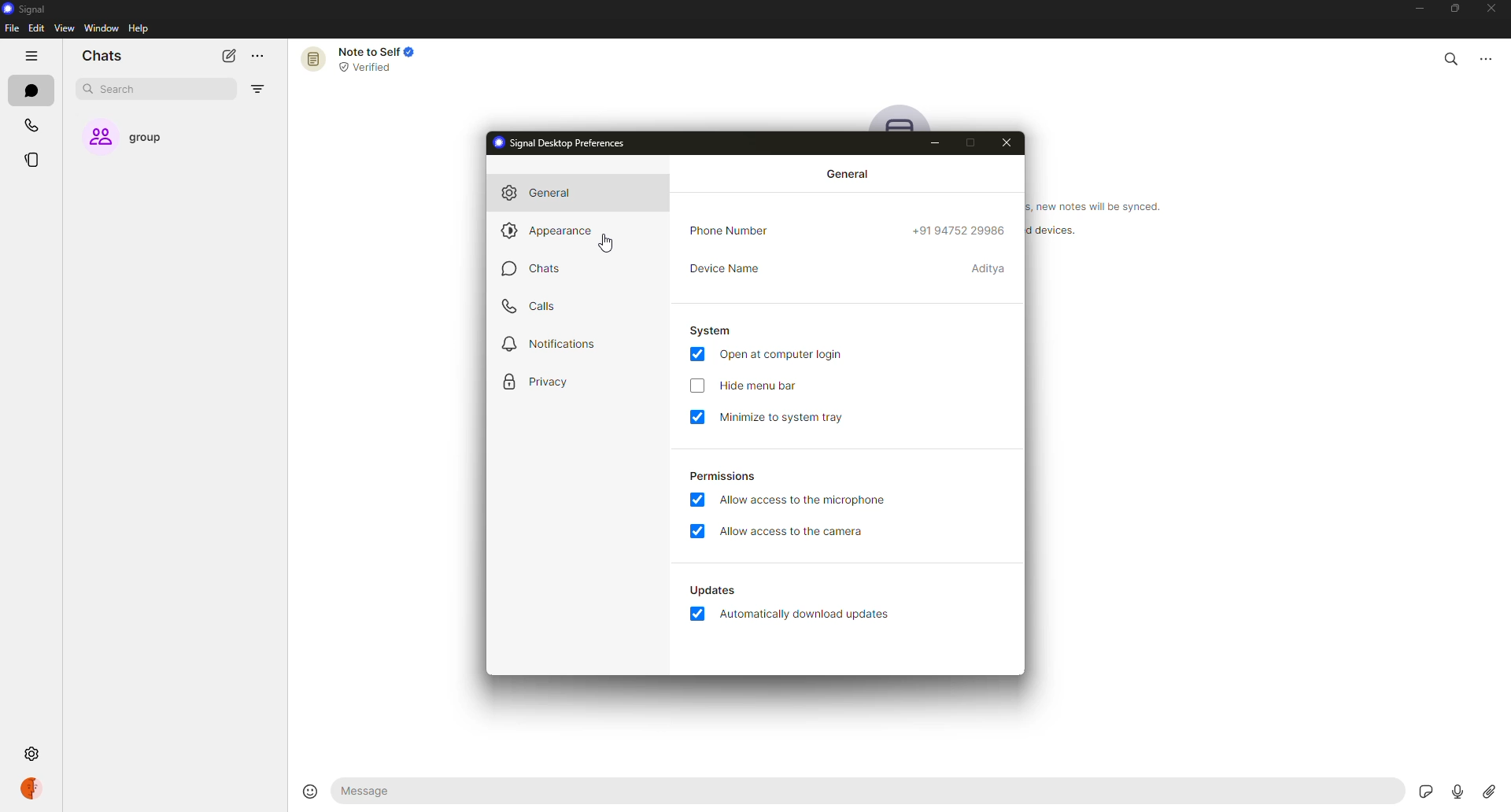  Describe the element at coordinates (1487, 791) in the screenshot. I see `attach` at that location.